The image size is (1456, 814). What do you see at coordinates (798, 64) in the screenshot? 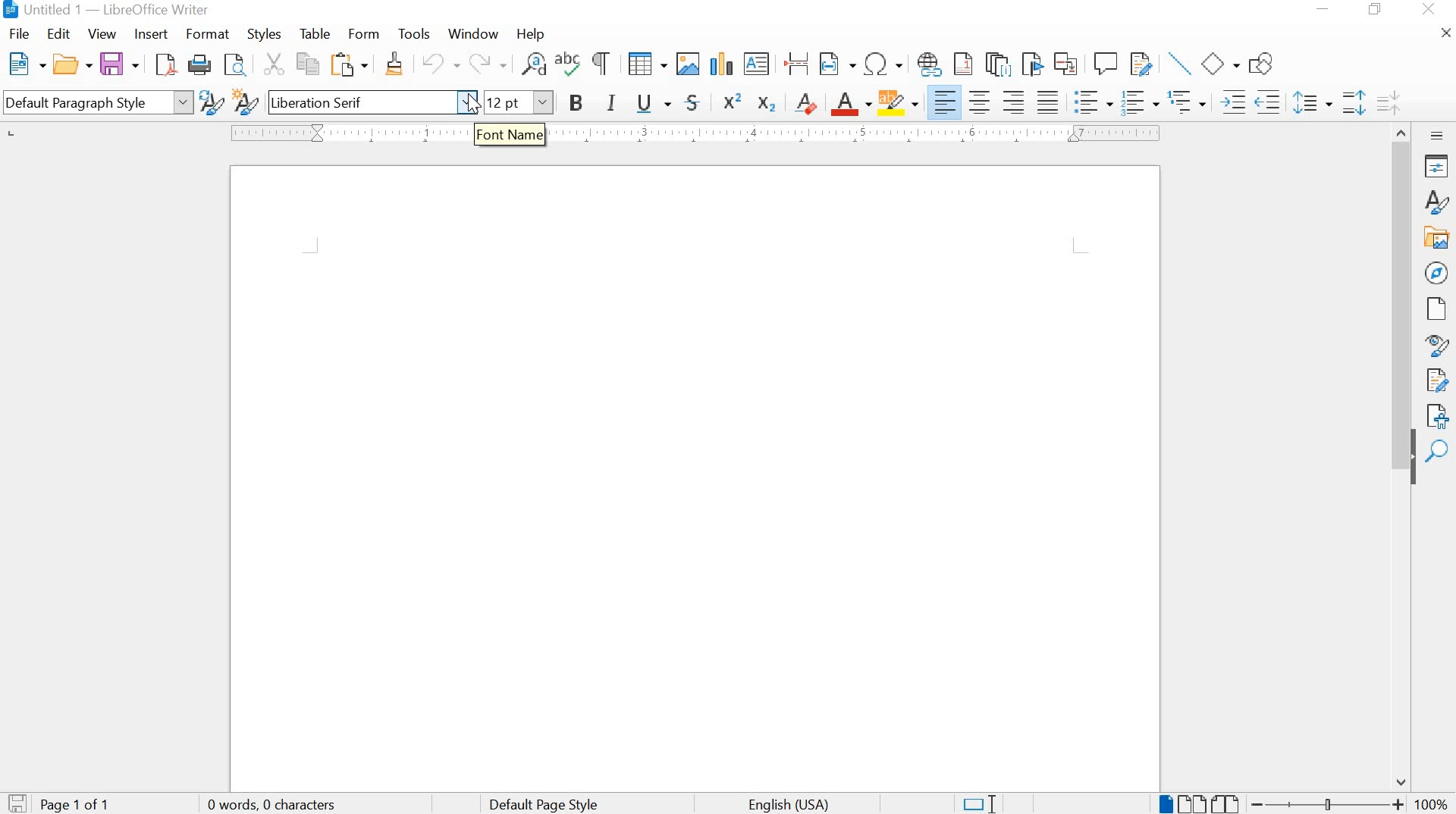
I see `INSERT PAGE BREAK` at bounding box center [798, 64].